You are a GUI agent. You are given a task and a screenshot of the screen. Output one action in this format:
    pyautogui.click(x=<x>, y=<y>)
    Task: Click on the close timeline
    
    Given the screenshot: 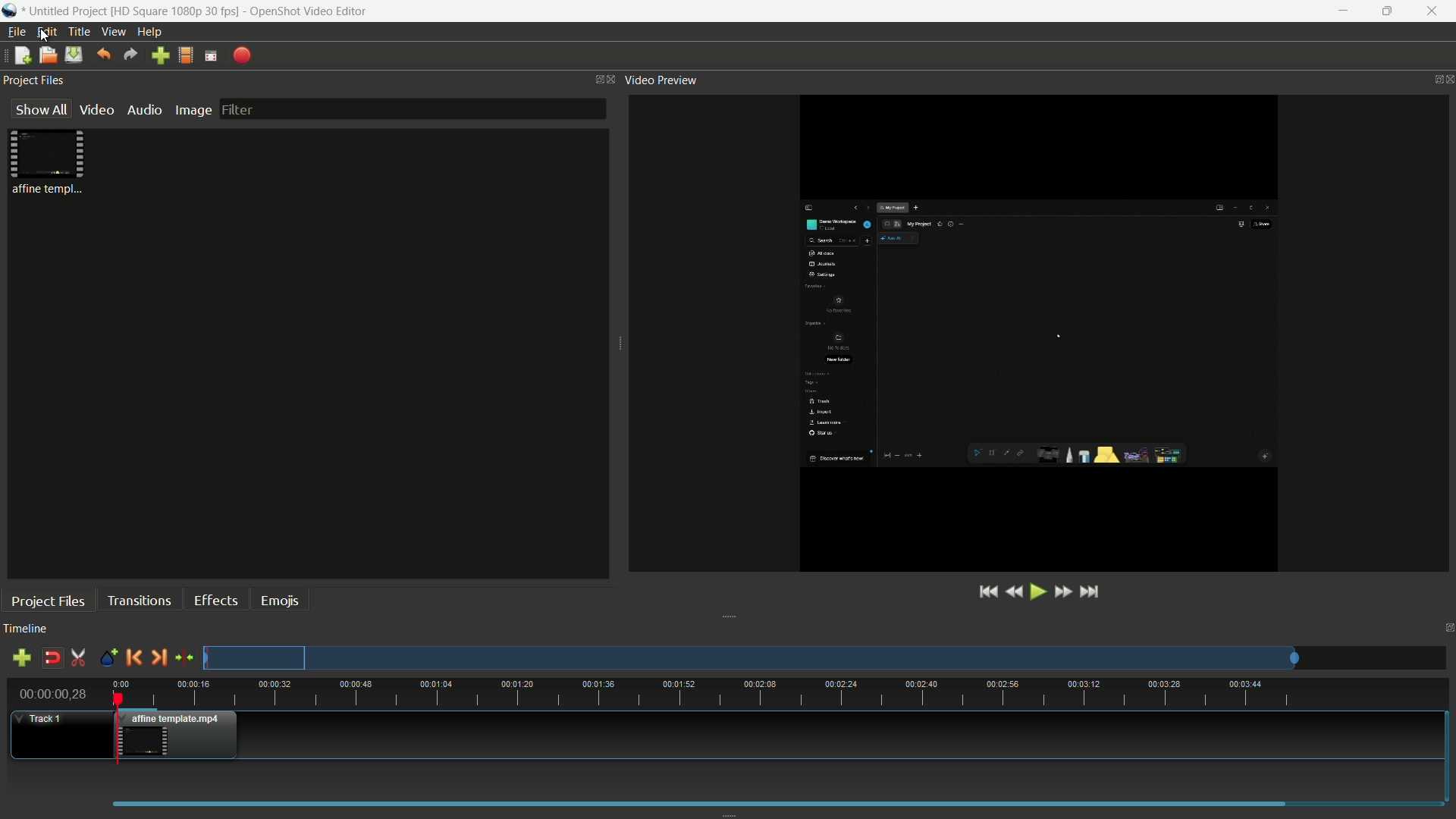 What is the action you would take?
    pyautogui.click(x=1447, y=628)
    